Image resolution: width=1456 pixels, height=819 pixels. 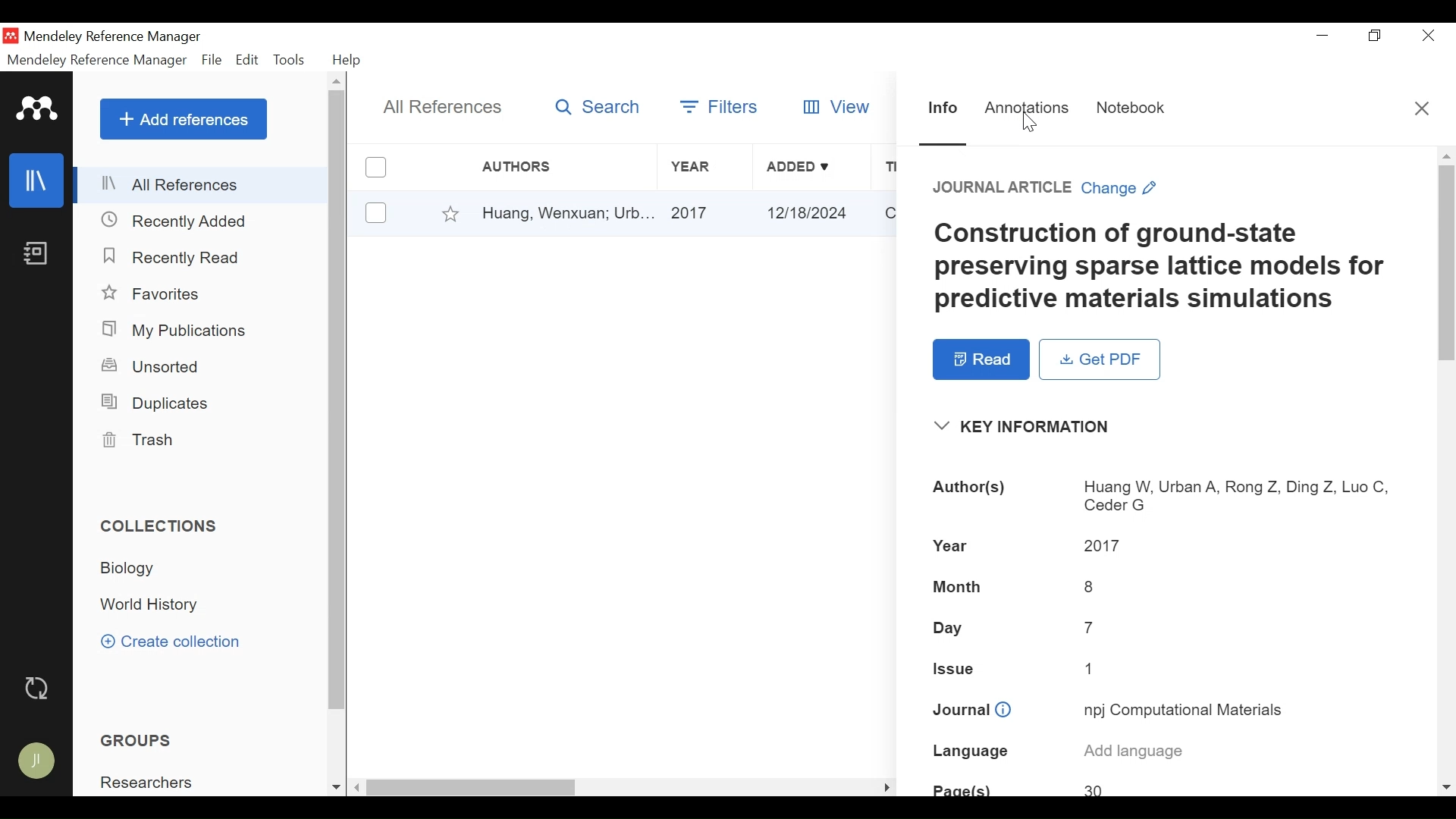 What do you see at coordinates (1134, 752) in the screenshot?
I see `Add language` at bounding box center [1134, 752].